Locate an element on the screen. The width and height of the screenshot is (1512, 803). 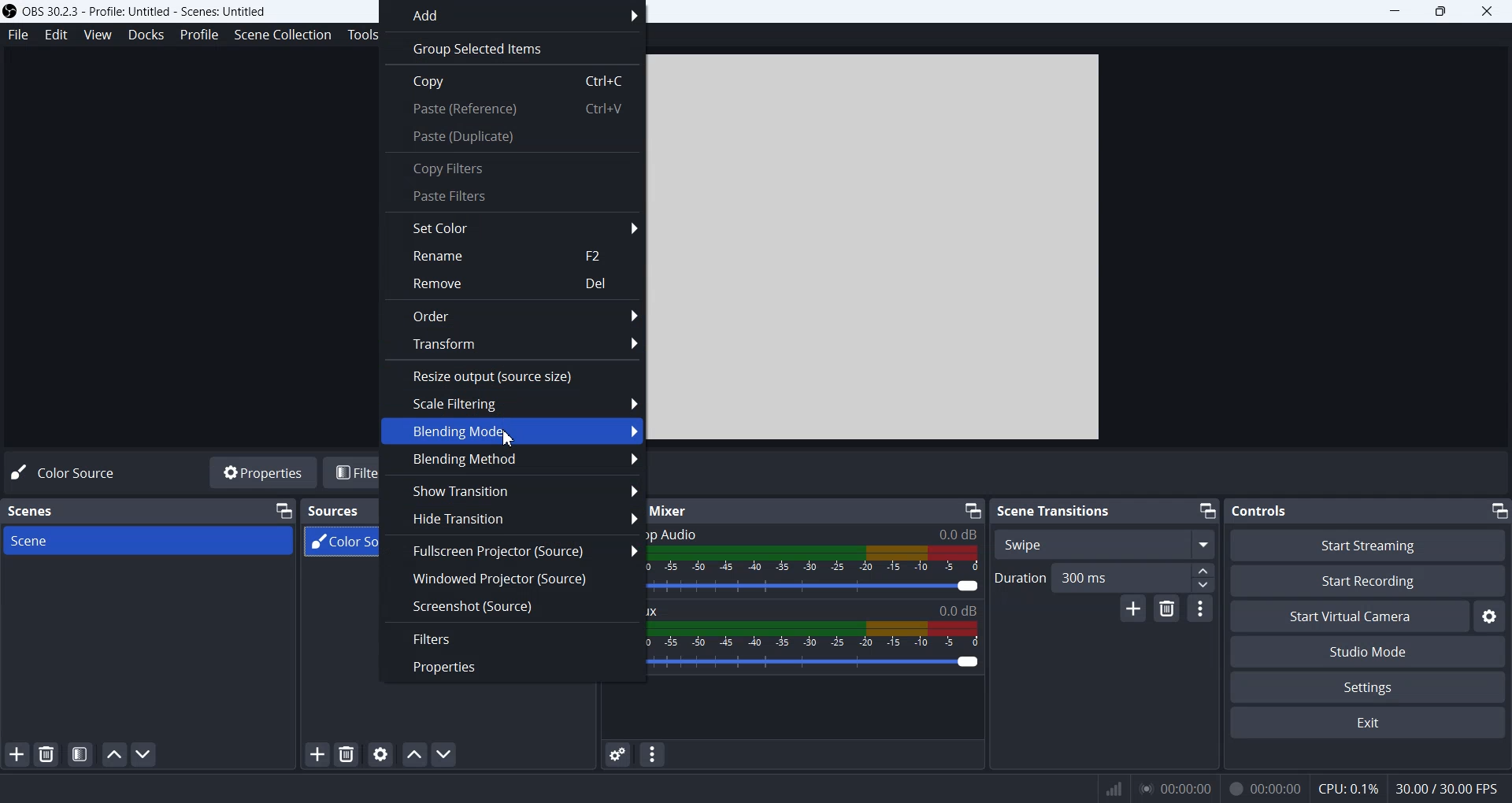
Remove is located at coordinates (512, 283).